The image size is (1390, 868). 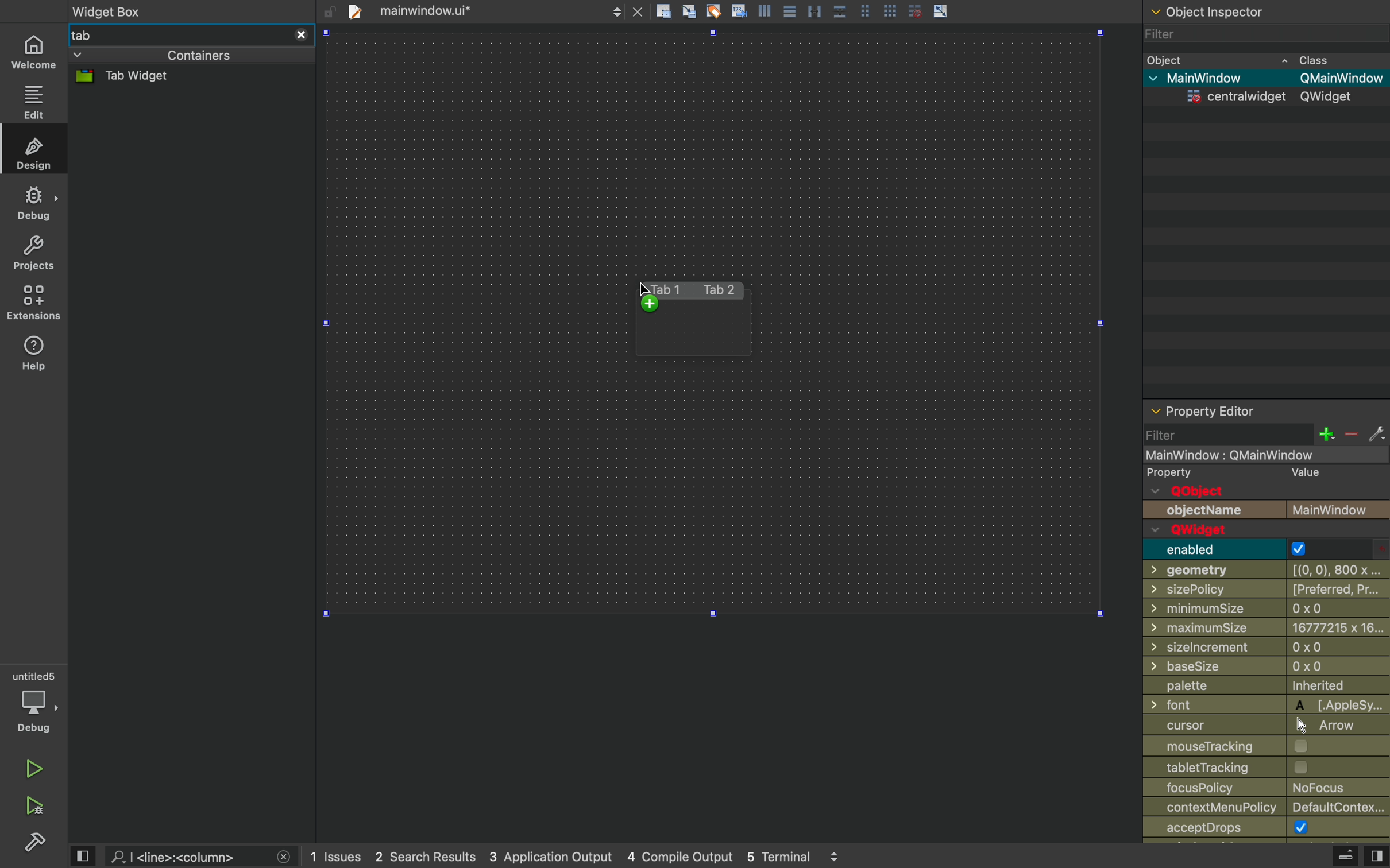 What do you see at coordinates (689, 11) in the screenshot?
I see `align grid` at bounding box center [689, 11].